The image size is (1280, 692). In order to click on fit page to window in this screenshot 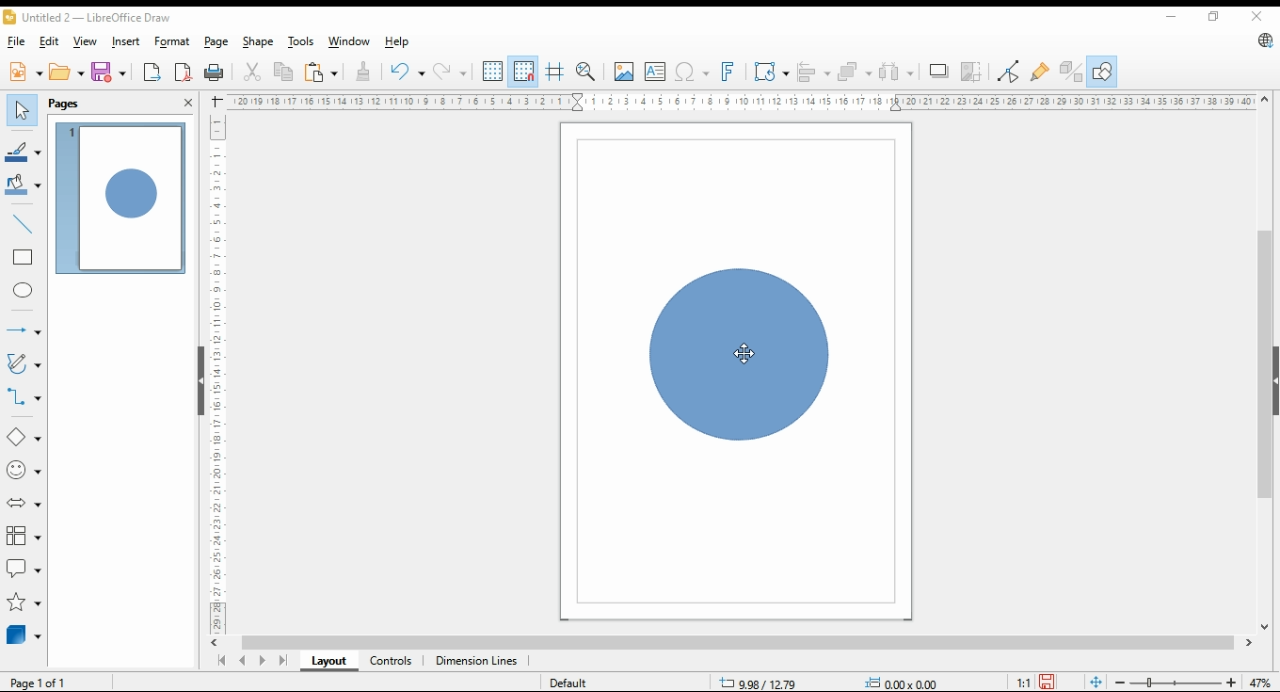, I will do `click(1095, 681)`.